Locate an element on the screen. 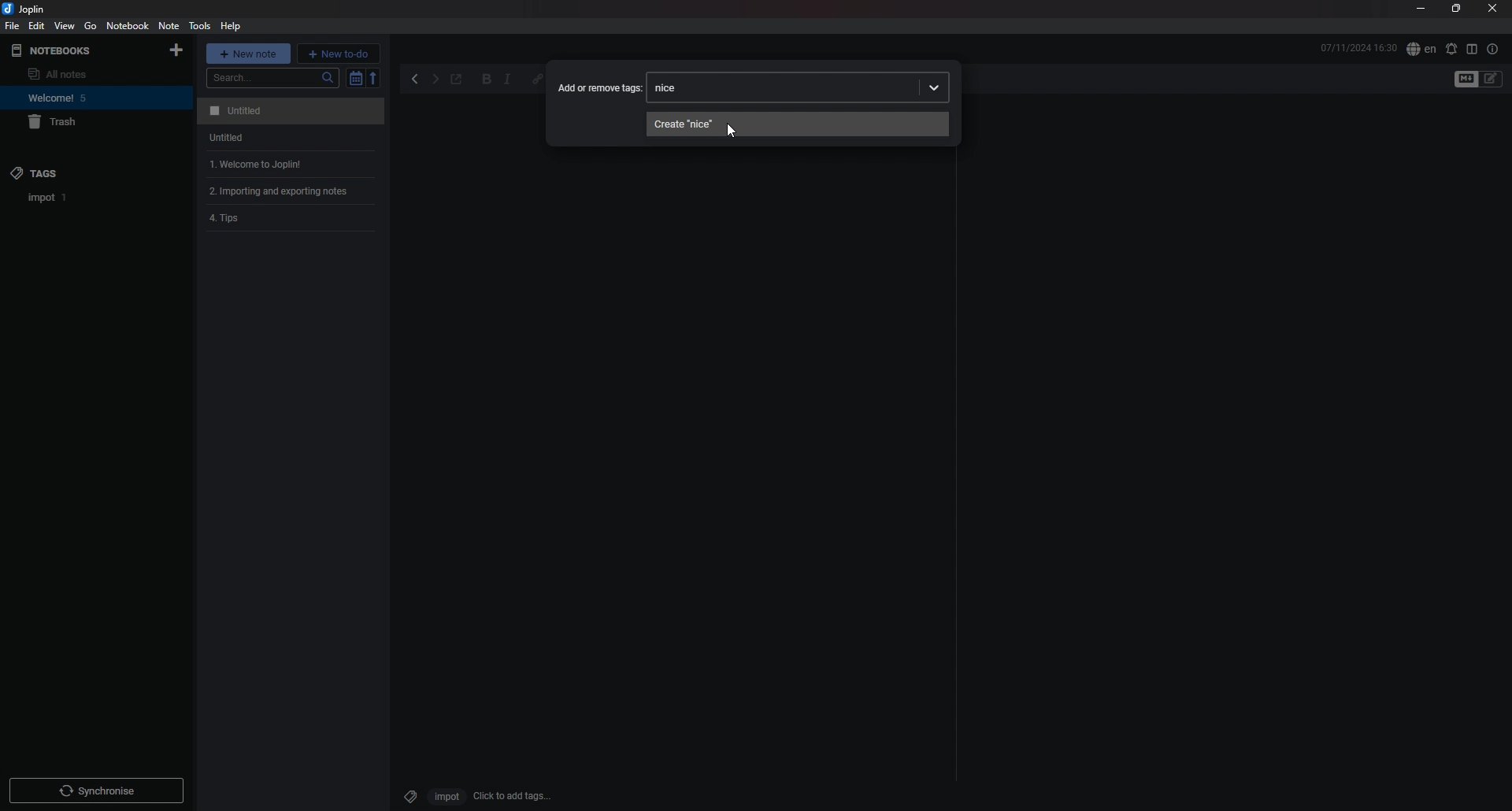  toggle sort order is located at coordinates (355, 79).